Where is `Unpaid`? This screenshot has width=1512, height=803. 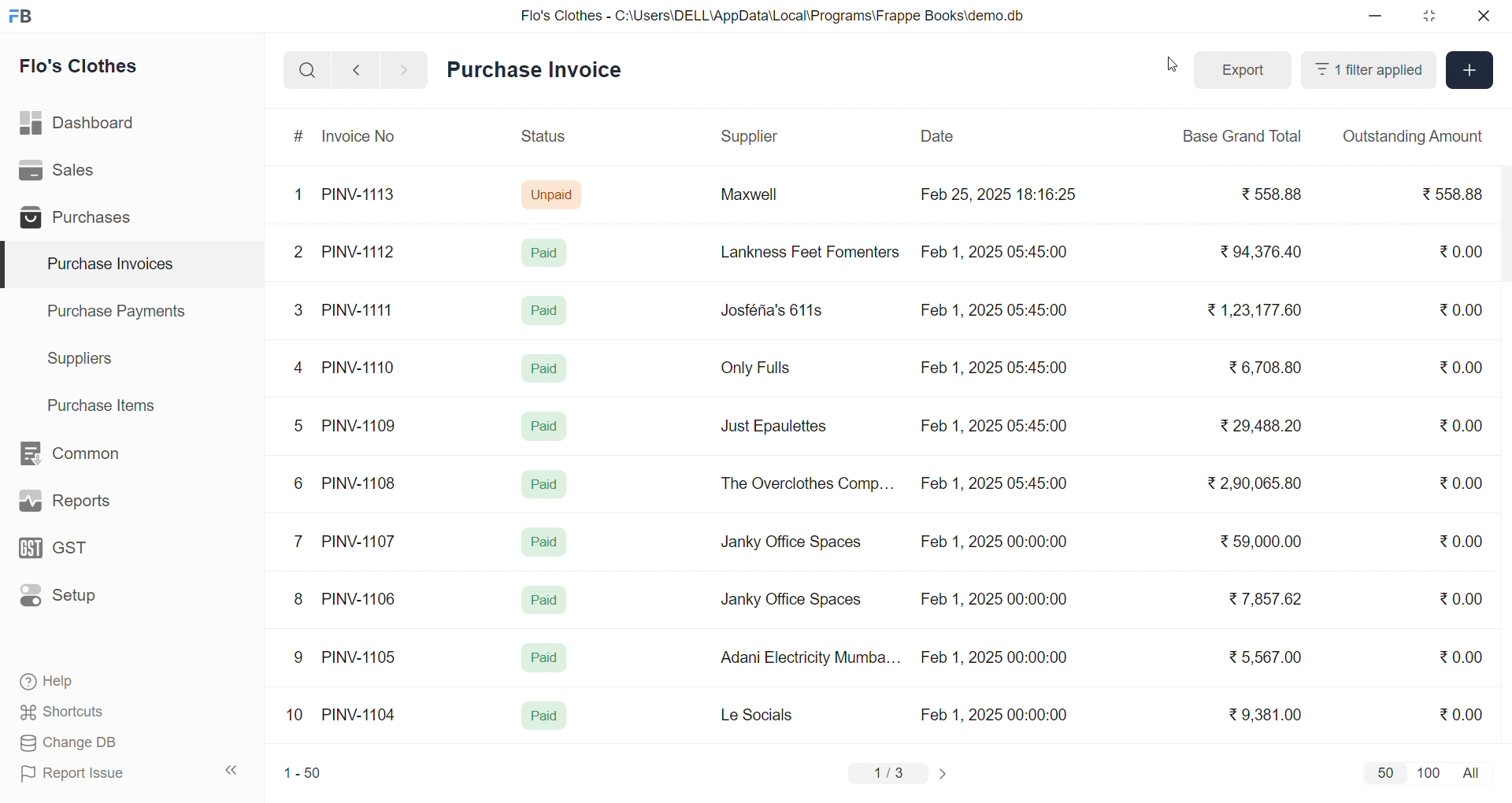 Unpaid is located at coordinates (554, 194).